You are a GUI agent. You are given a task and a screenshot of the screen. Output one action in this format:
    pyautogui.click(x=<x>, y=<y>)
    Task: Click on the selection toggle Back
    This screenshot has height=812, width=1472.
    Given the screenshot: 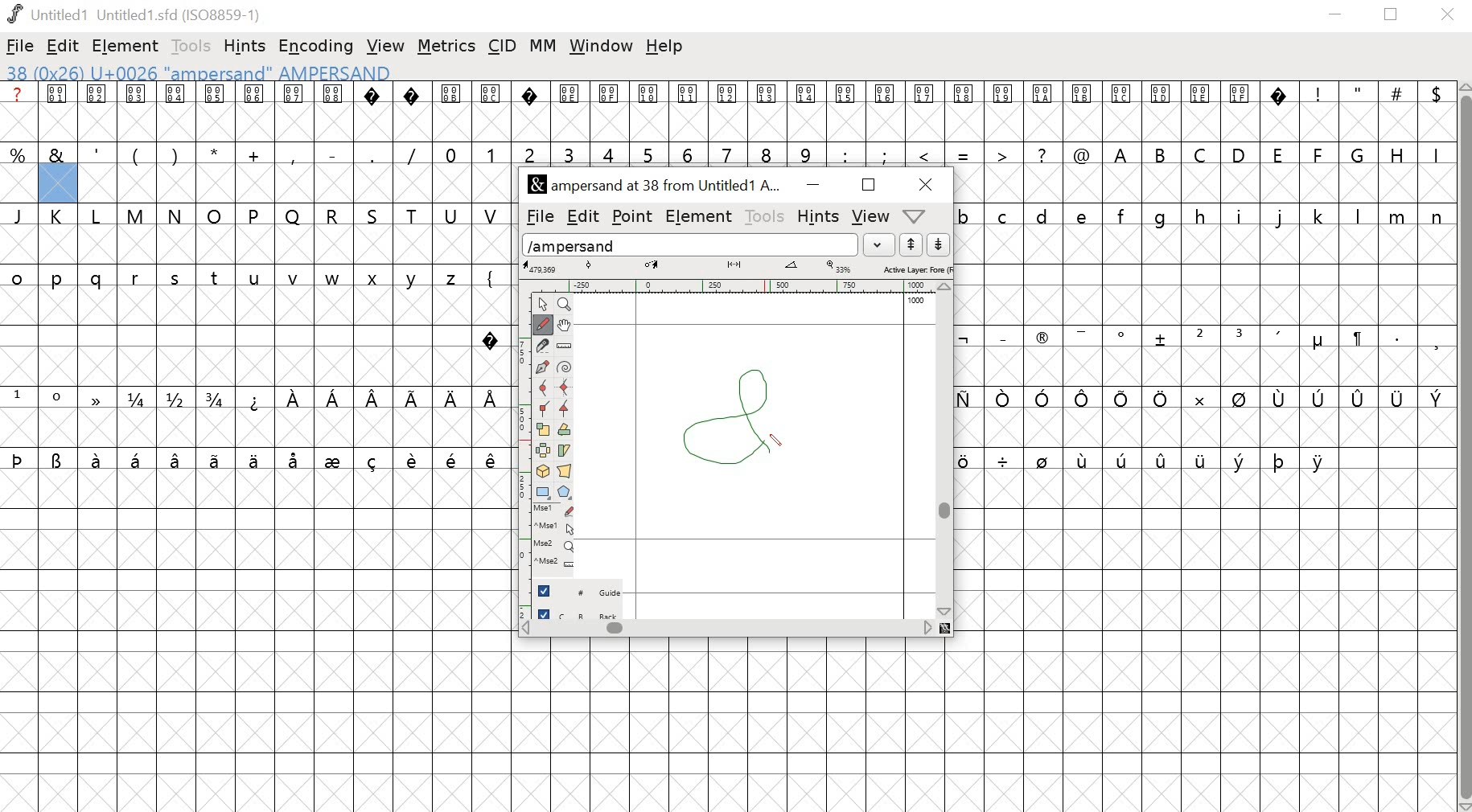 What is the action you would take?
    pyautogui.click(x=586, y=611)
    